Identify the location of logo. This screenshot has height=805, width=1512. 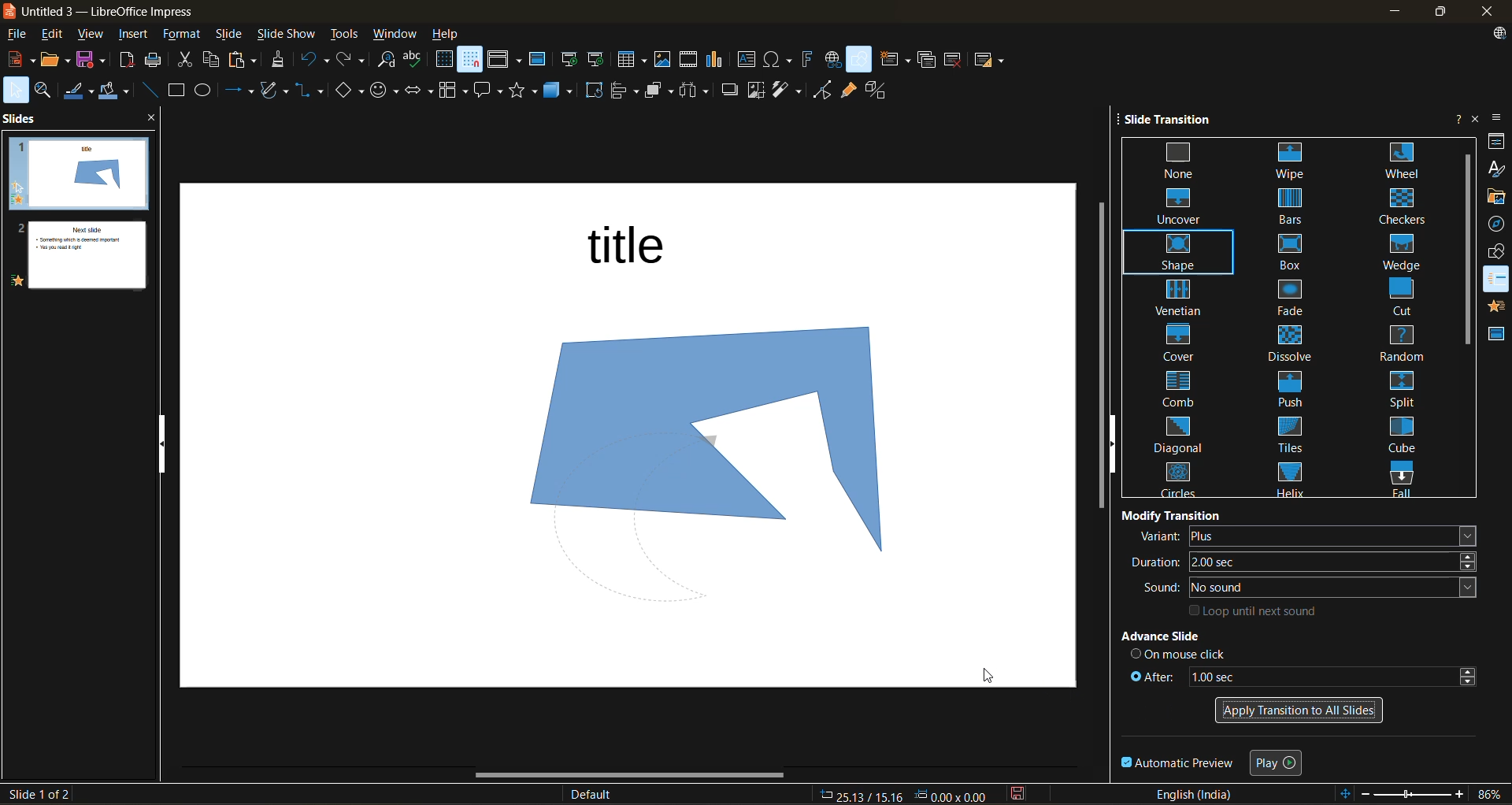
(9, 10).